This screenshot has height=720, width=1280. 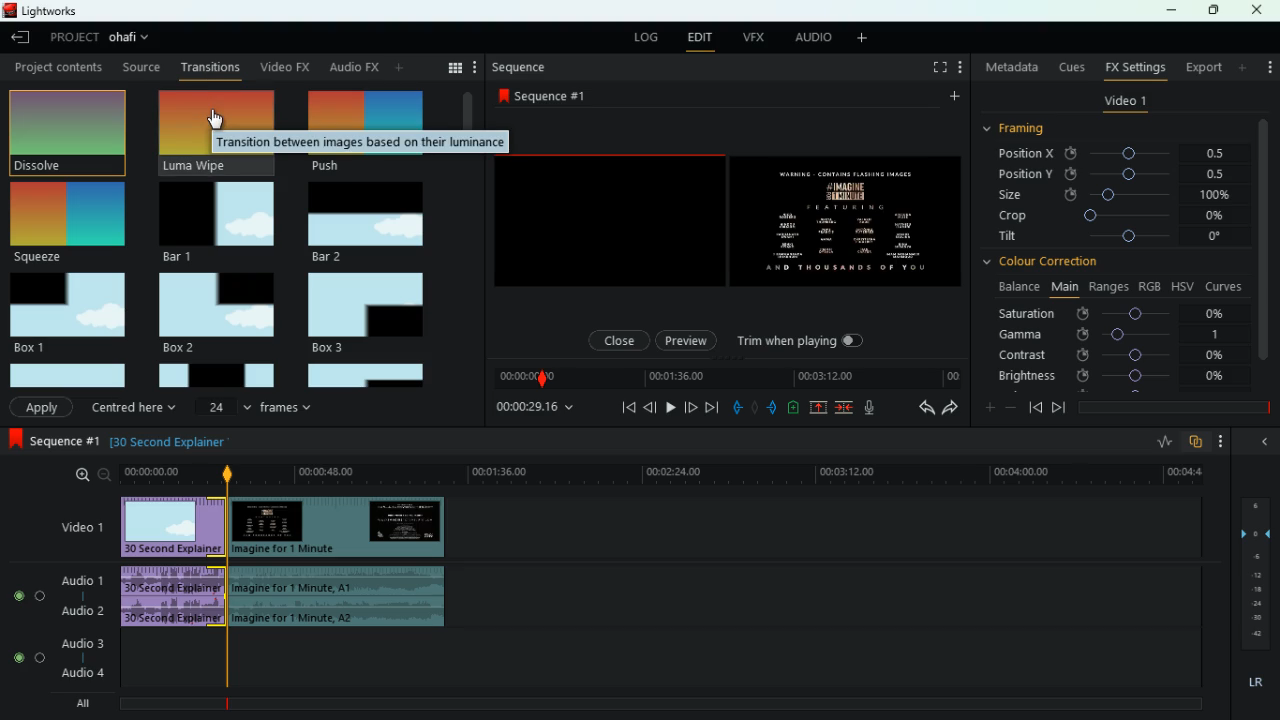 I want to click on rgb, so click(x=1150, y=285).